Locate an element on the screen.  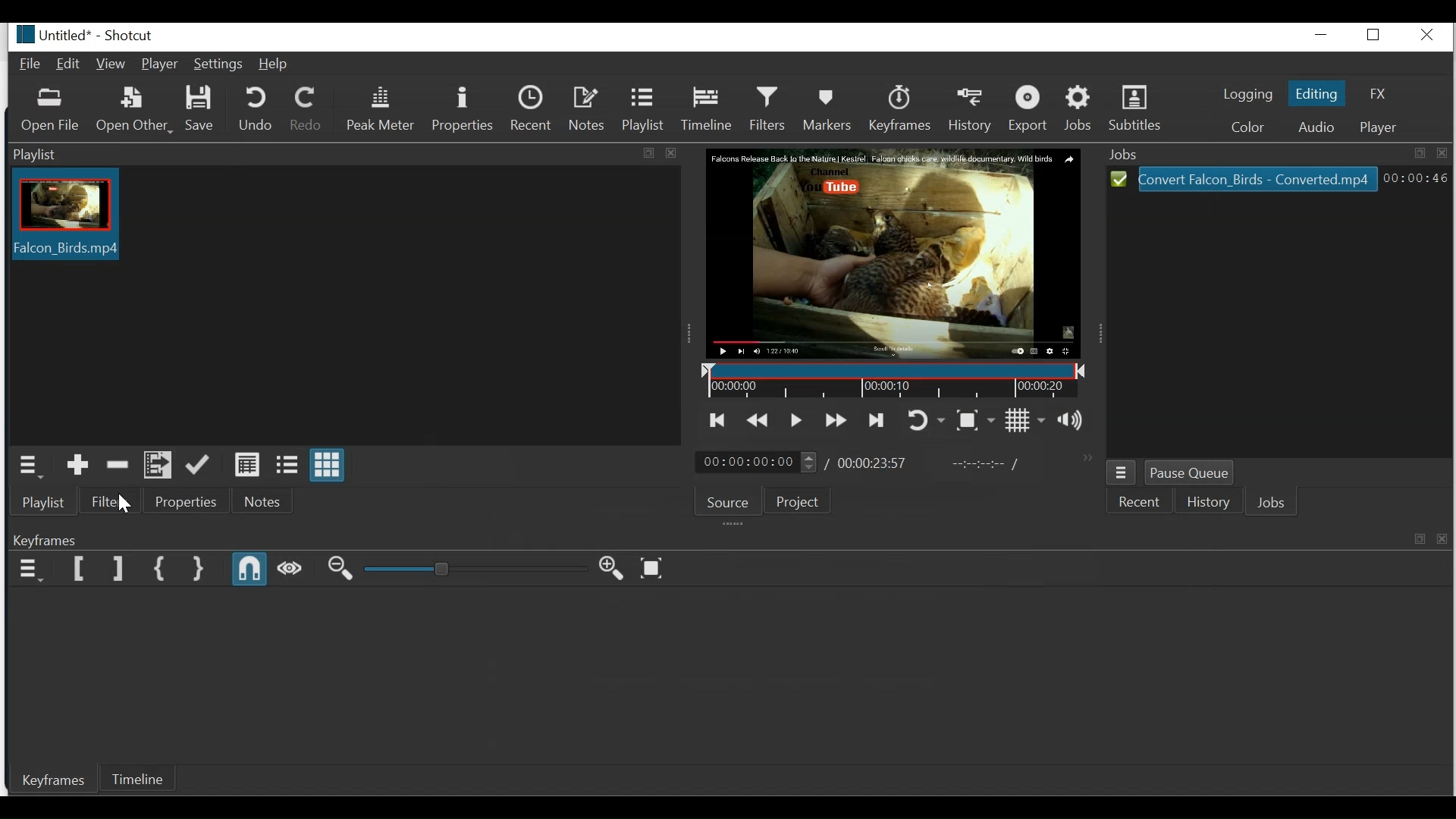
Pause Queue is located at coordinates (1189, 472).